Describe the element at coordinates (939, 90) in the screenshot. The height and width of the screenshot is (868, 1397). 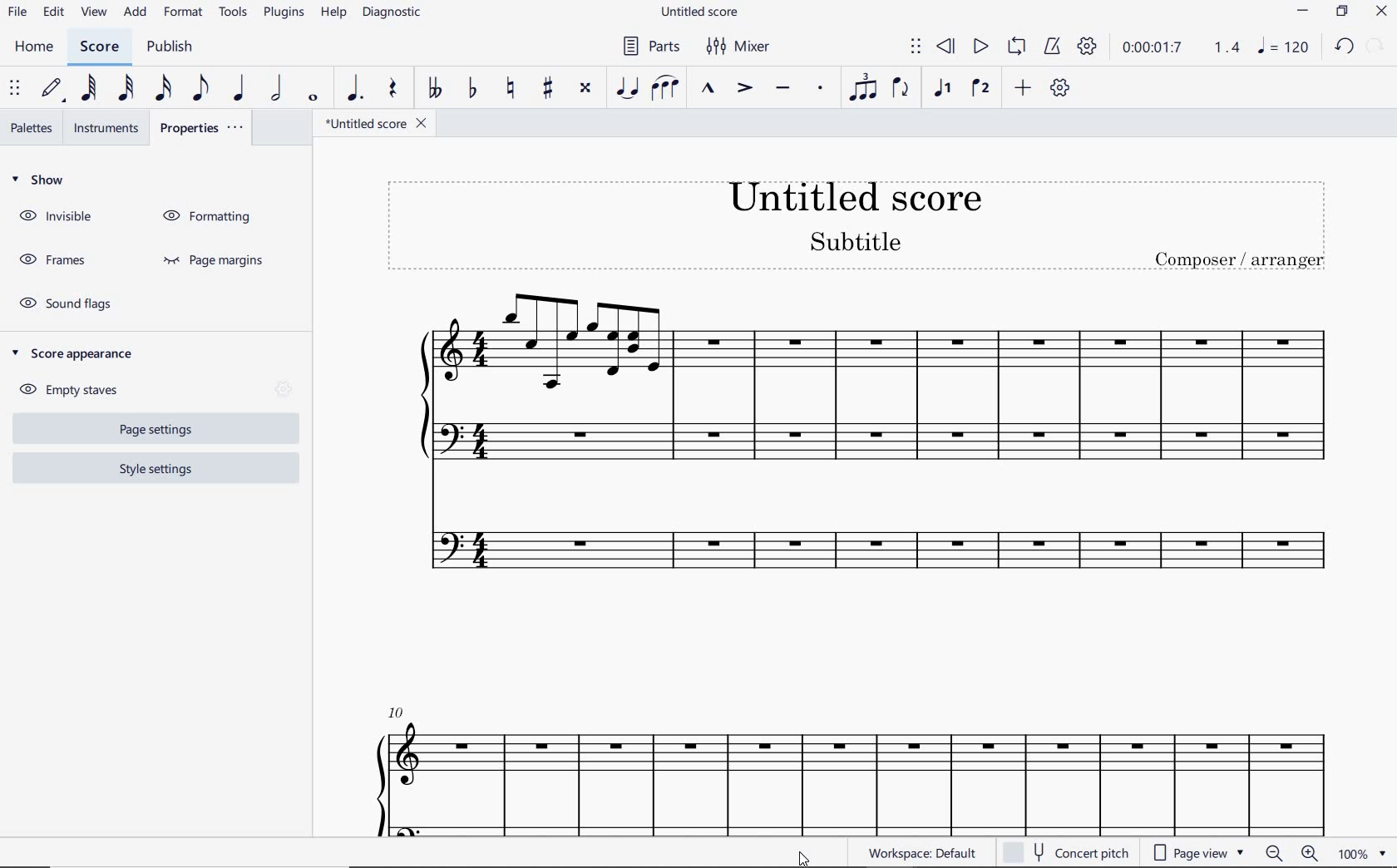
I see `VOICE 1` at that location.